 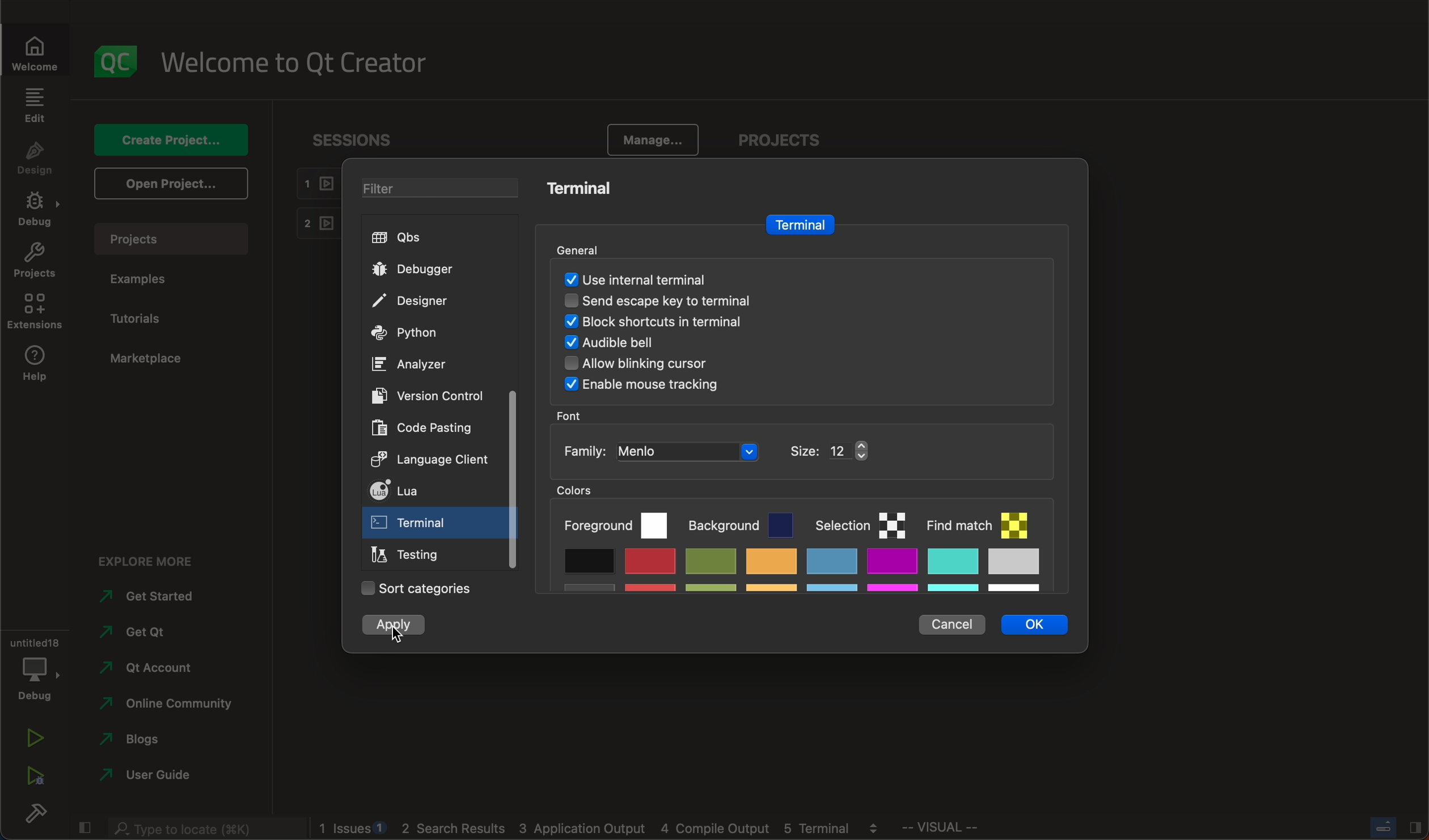 I want to click on build, so click(x=33, y=817).